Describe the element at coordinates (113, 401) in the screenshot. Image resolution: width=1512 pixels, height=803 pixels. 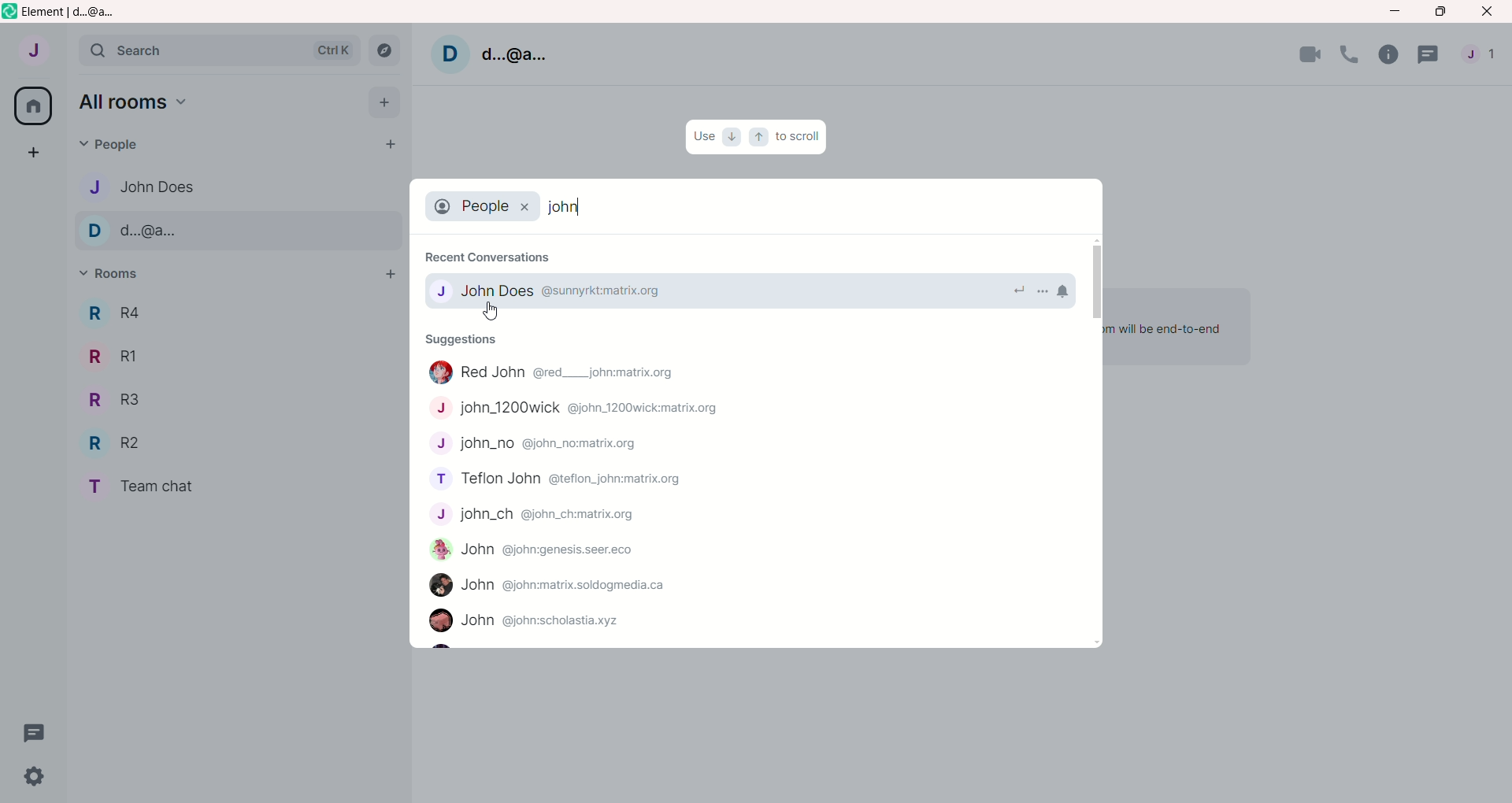
I see `R3` at that location.